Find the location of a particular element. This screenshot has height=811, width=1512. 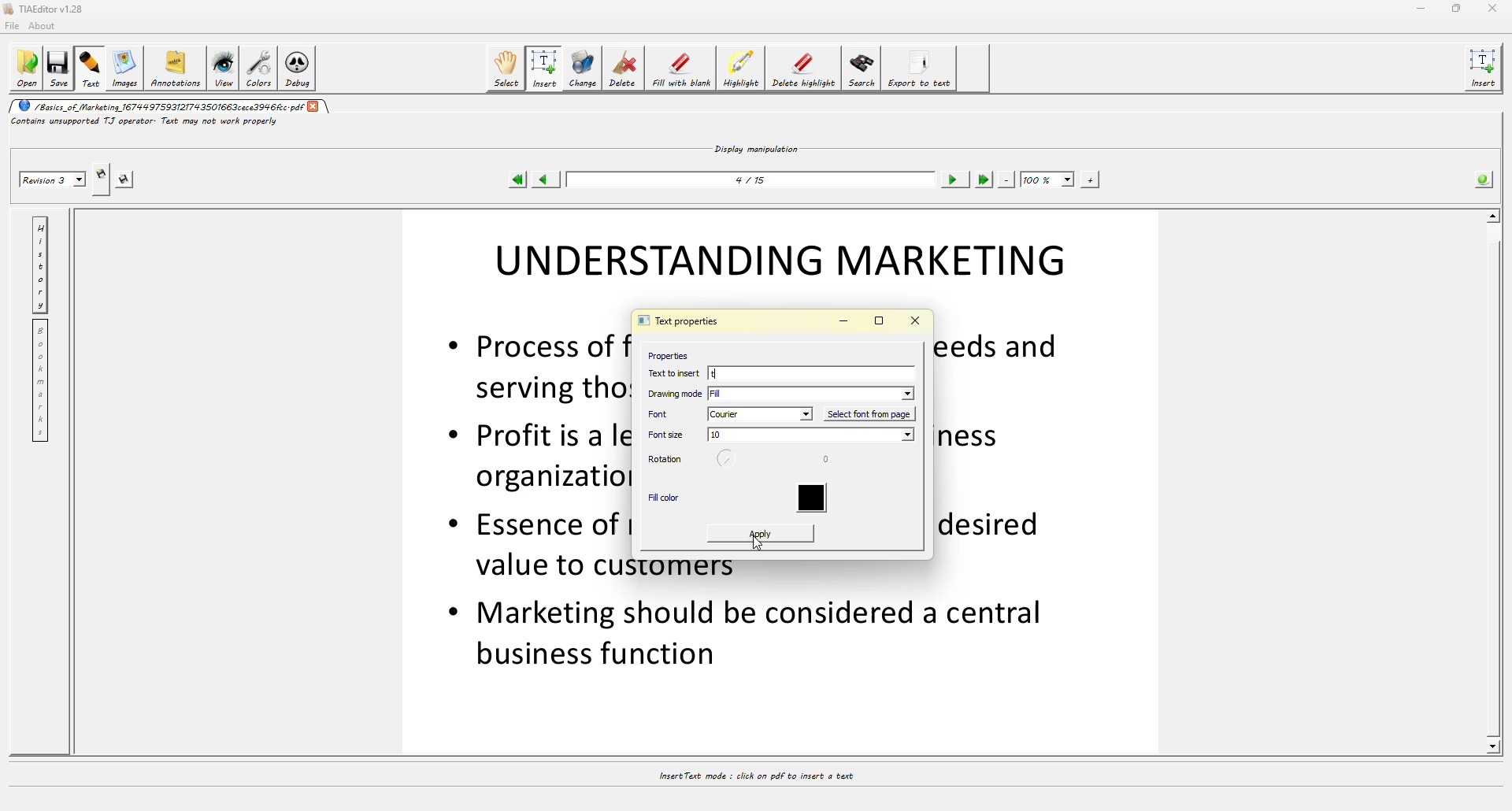

next page is located at coordinates (955, 180).